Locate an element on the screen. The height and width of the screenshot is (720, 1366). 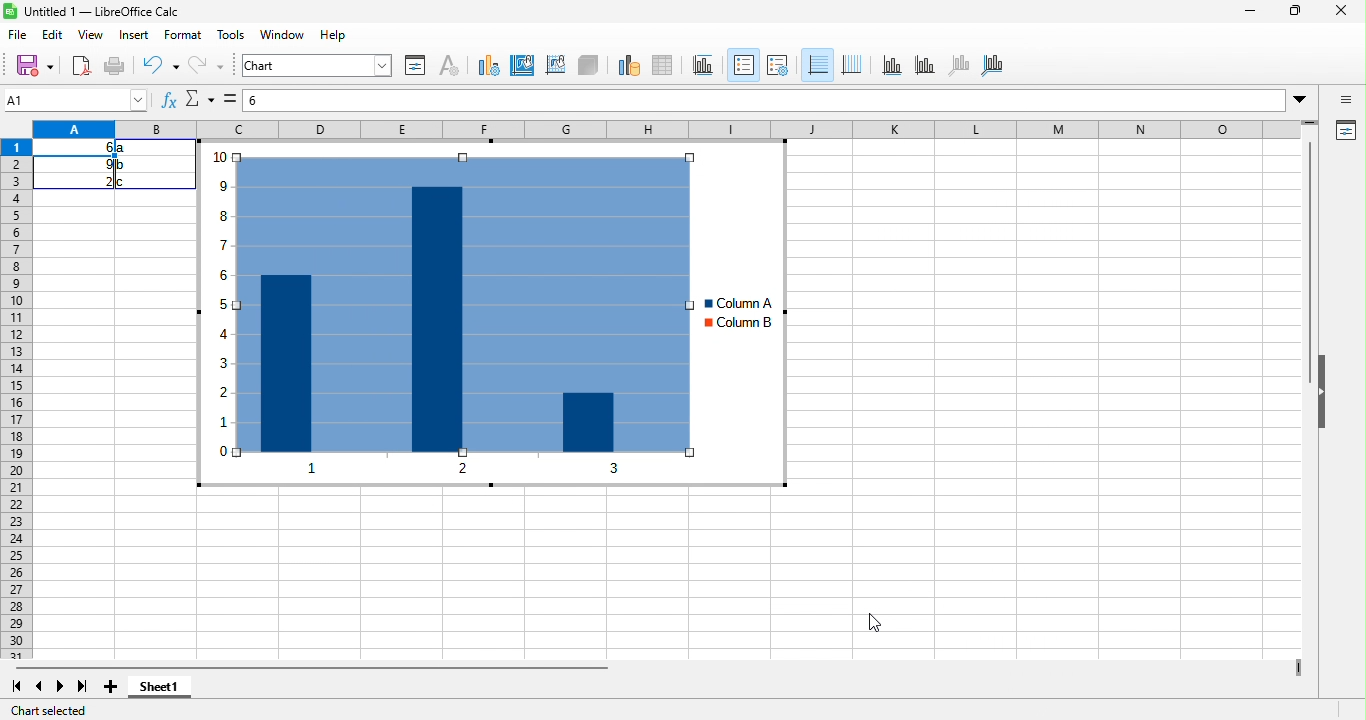
print is located at coordinates (115, 66).